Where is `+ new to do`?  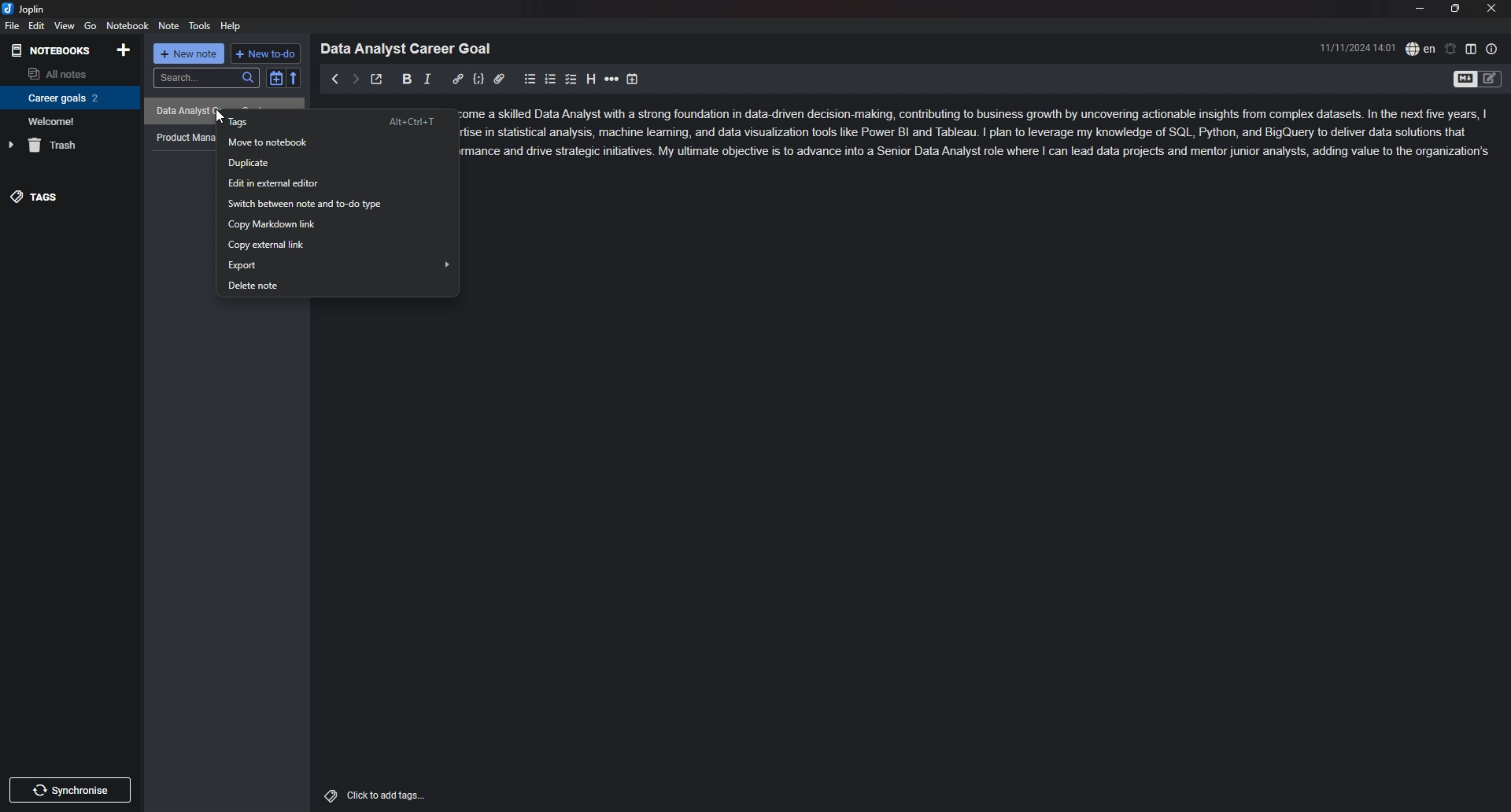 + new to do is located at coordinates (264, 54).